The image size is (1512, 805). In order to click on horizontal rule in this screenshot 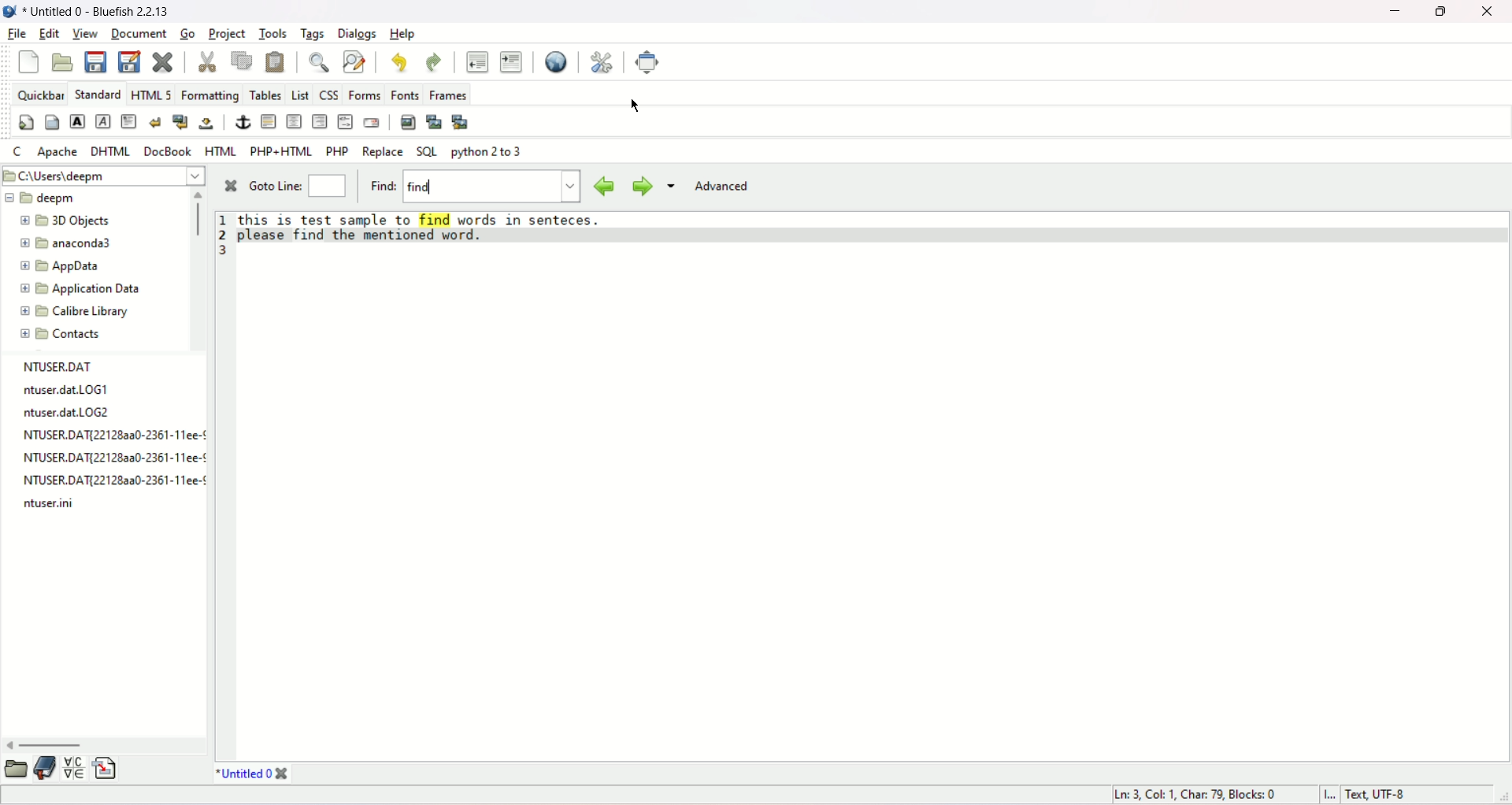, I will do `click(268, 122)`.